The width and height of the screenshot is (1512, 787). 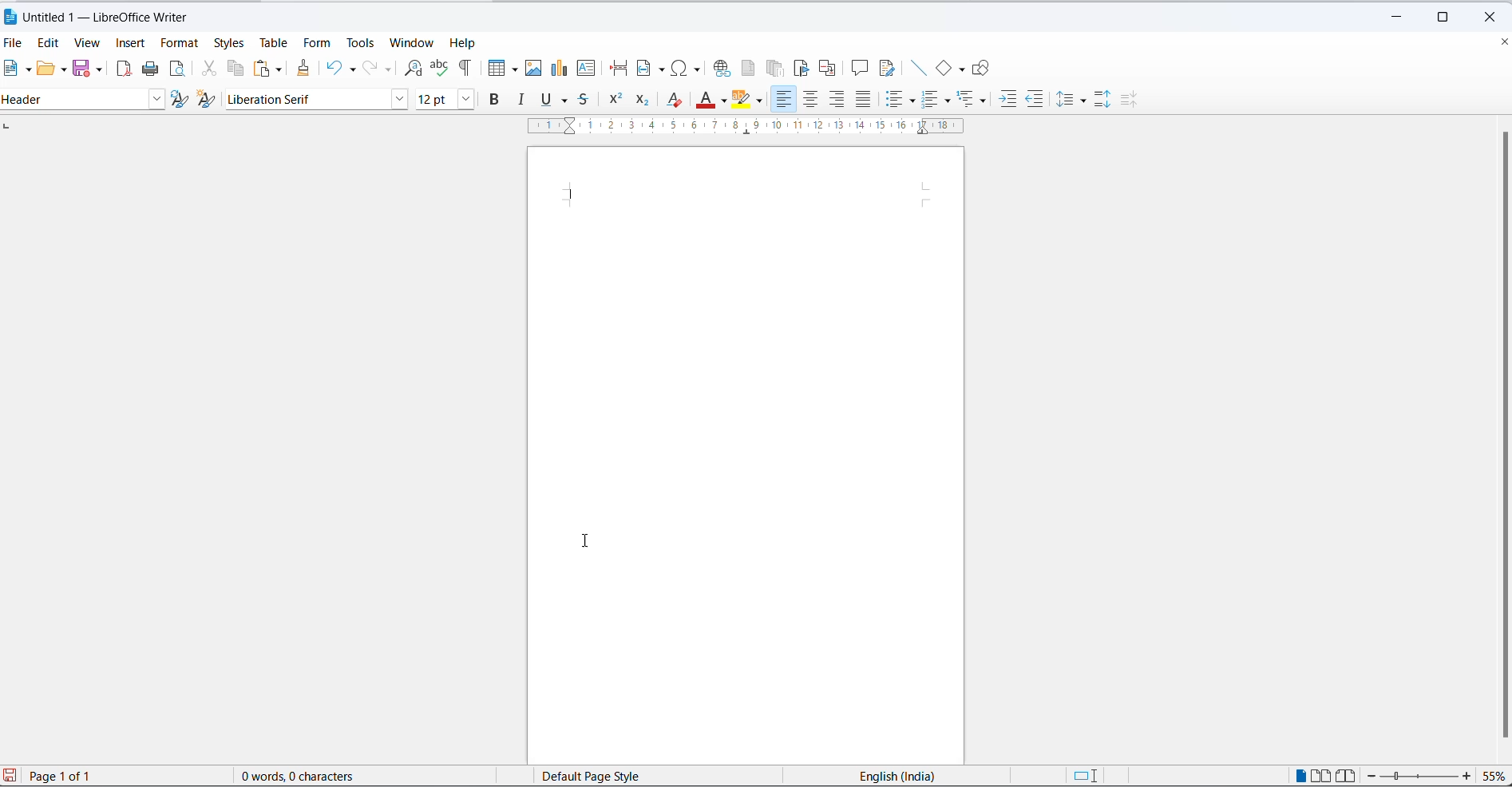 I want to click on paste options, so click(x=277, y=68).